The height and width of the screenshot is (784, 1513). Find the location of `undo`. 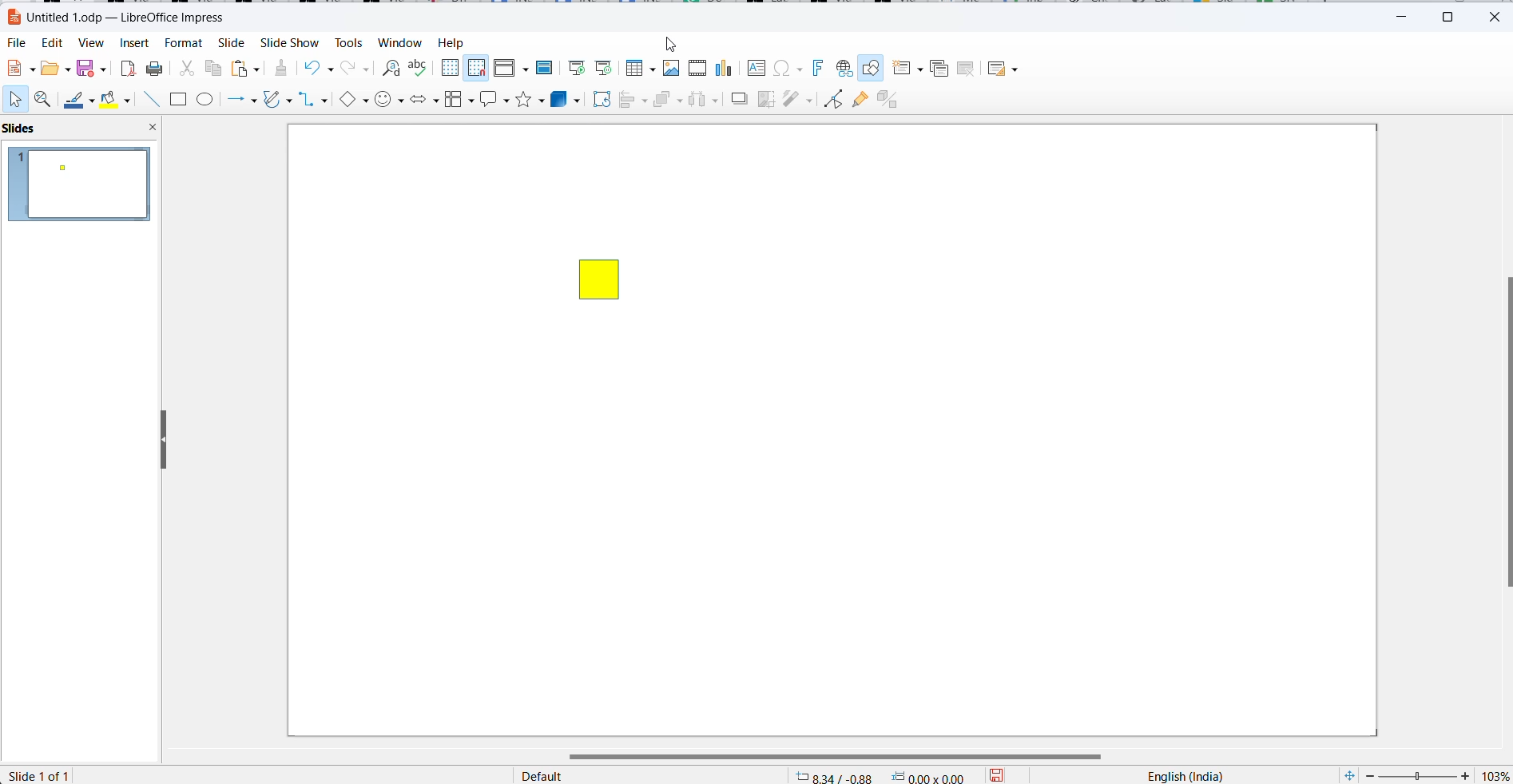

undo is located at coordinates (323, 68).